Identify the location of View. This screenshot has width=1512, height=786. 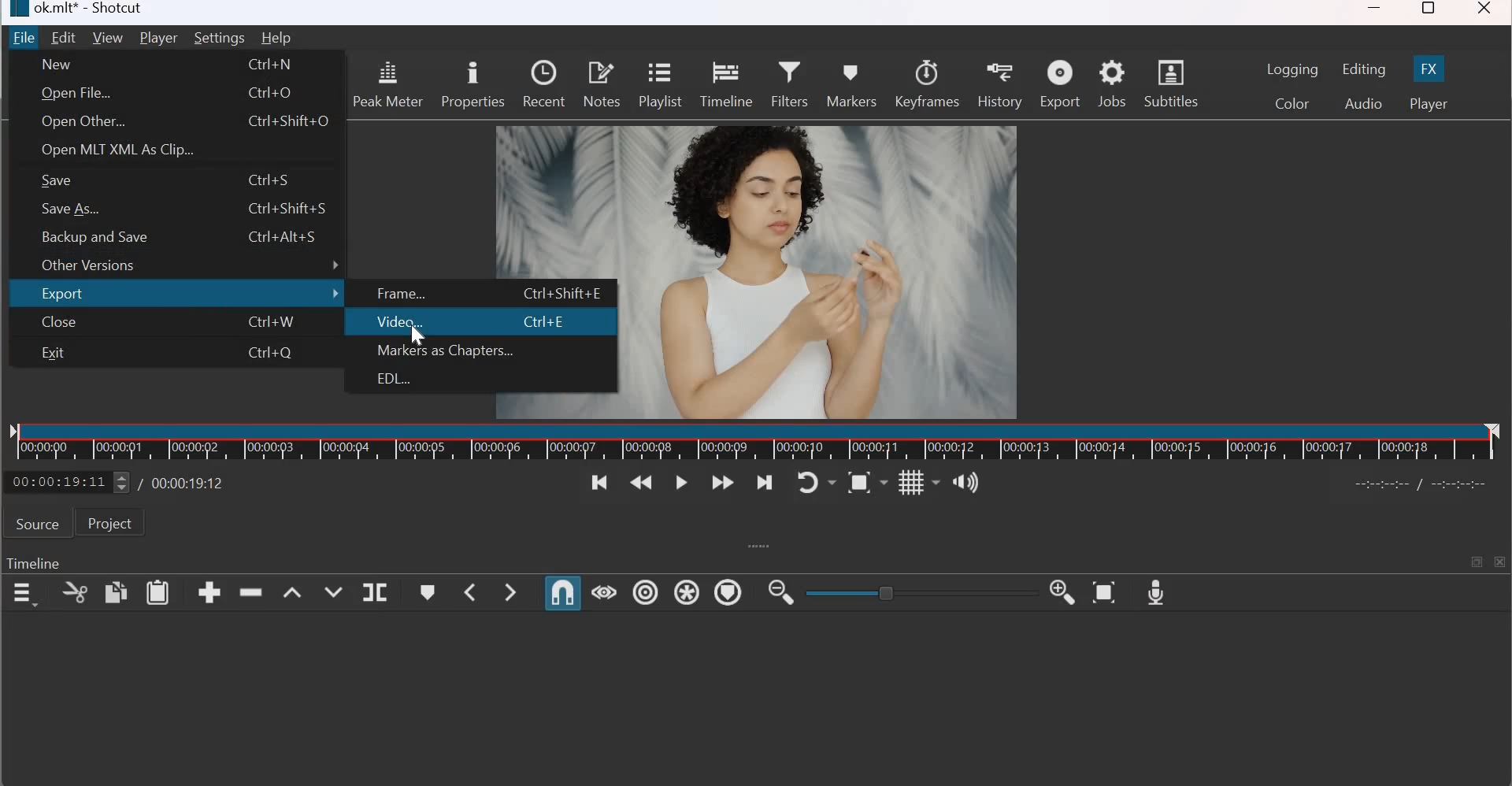
(108, 39).